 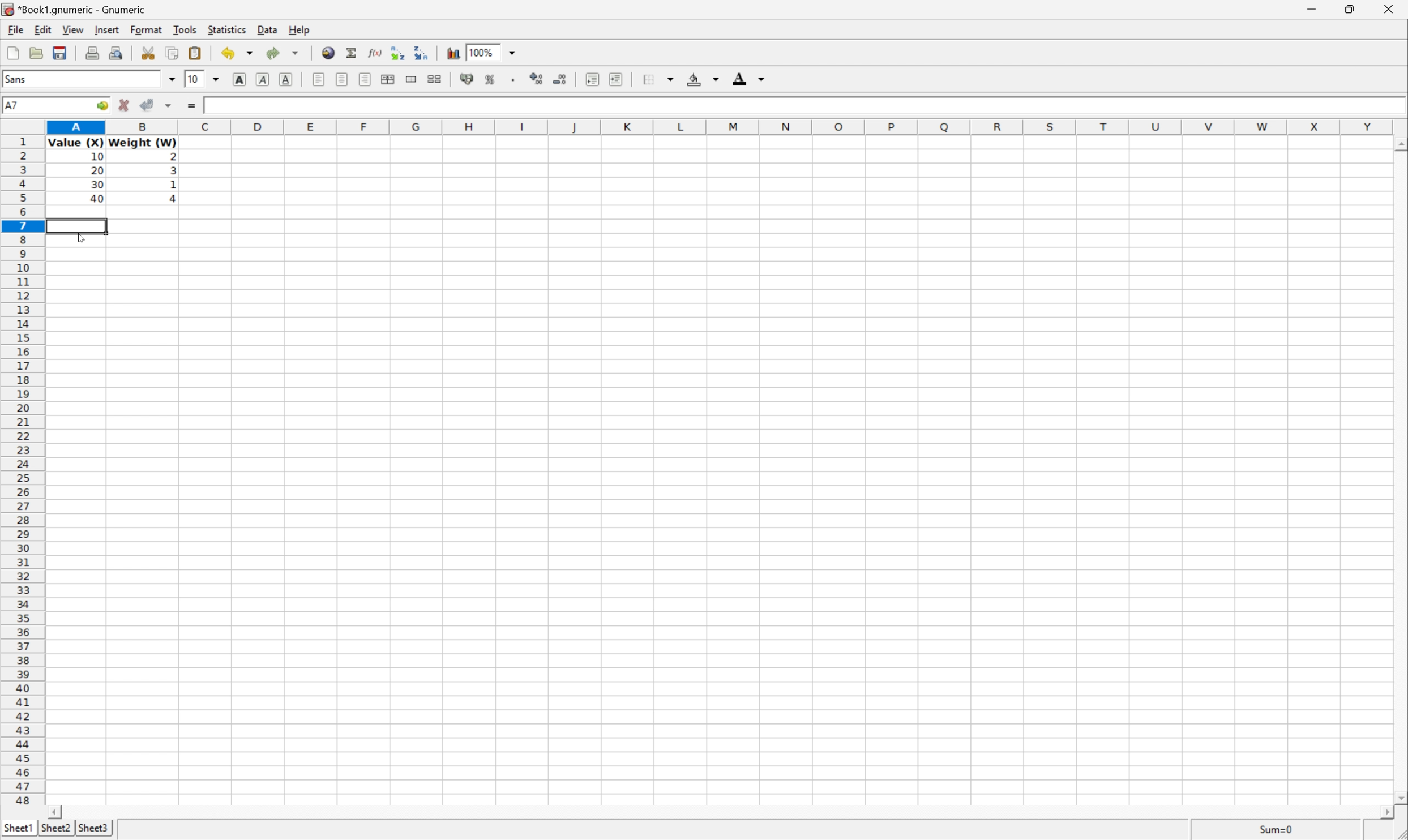 I want to click on A7, so click(x=11, y=104).